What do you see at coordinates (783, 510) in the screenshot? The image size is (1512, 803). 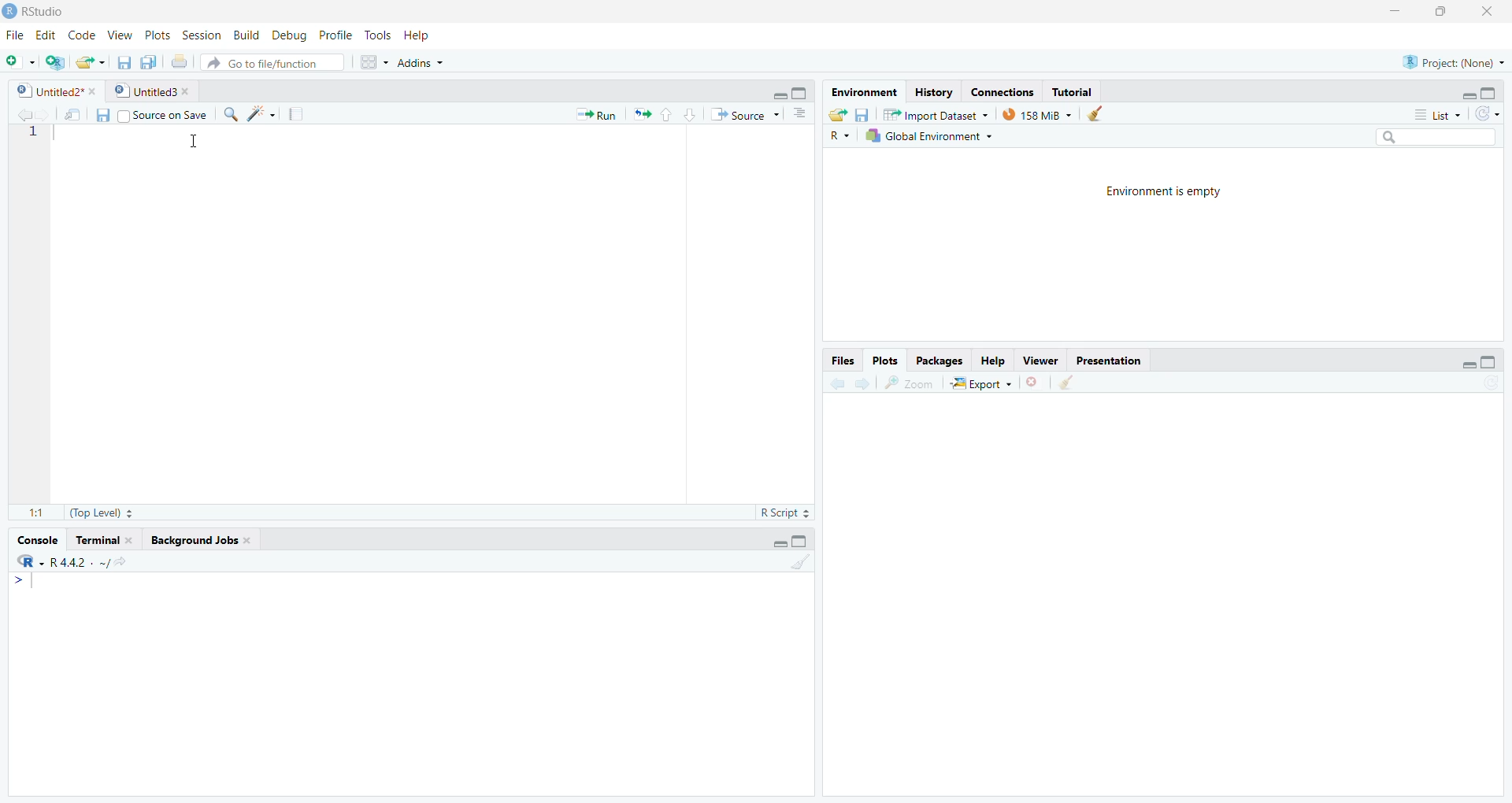 I see `RScript ` at bounding box center [783, 510].